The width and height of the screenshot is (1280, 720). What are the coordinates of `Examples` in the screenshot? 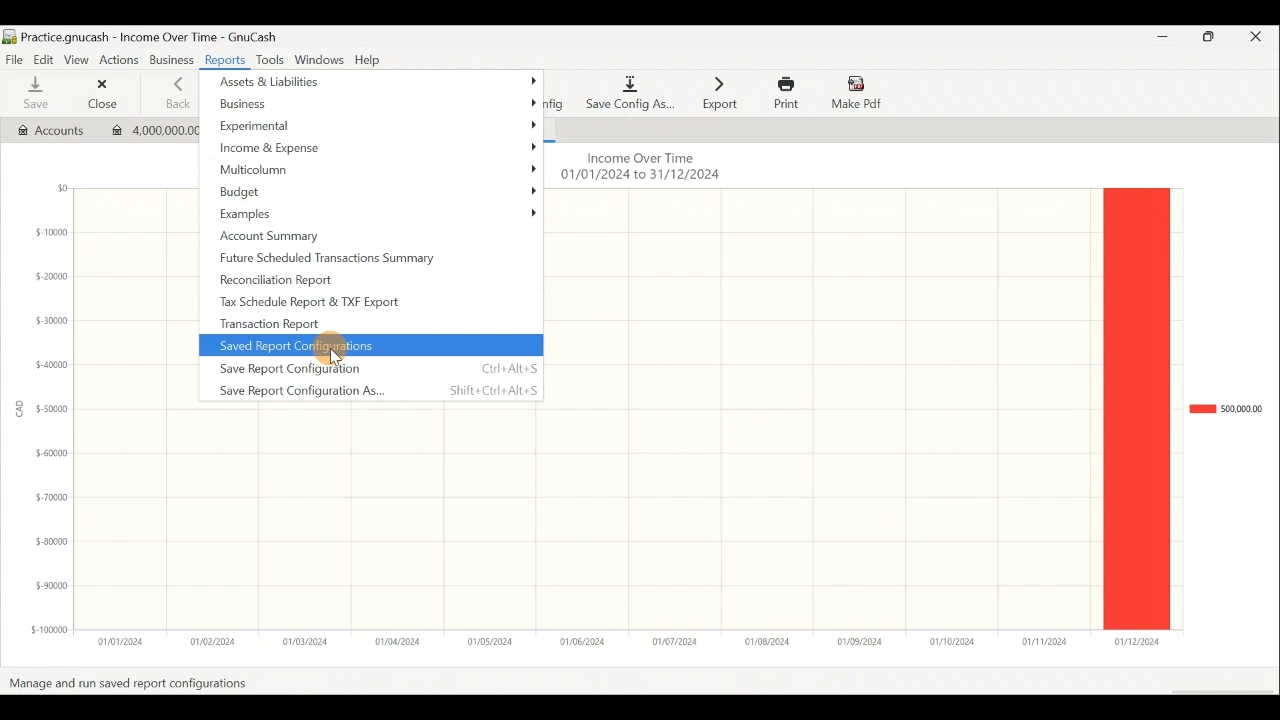 It's located at (370, 214).